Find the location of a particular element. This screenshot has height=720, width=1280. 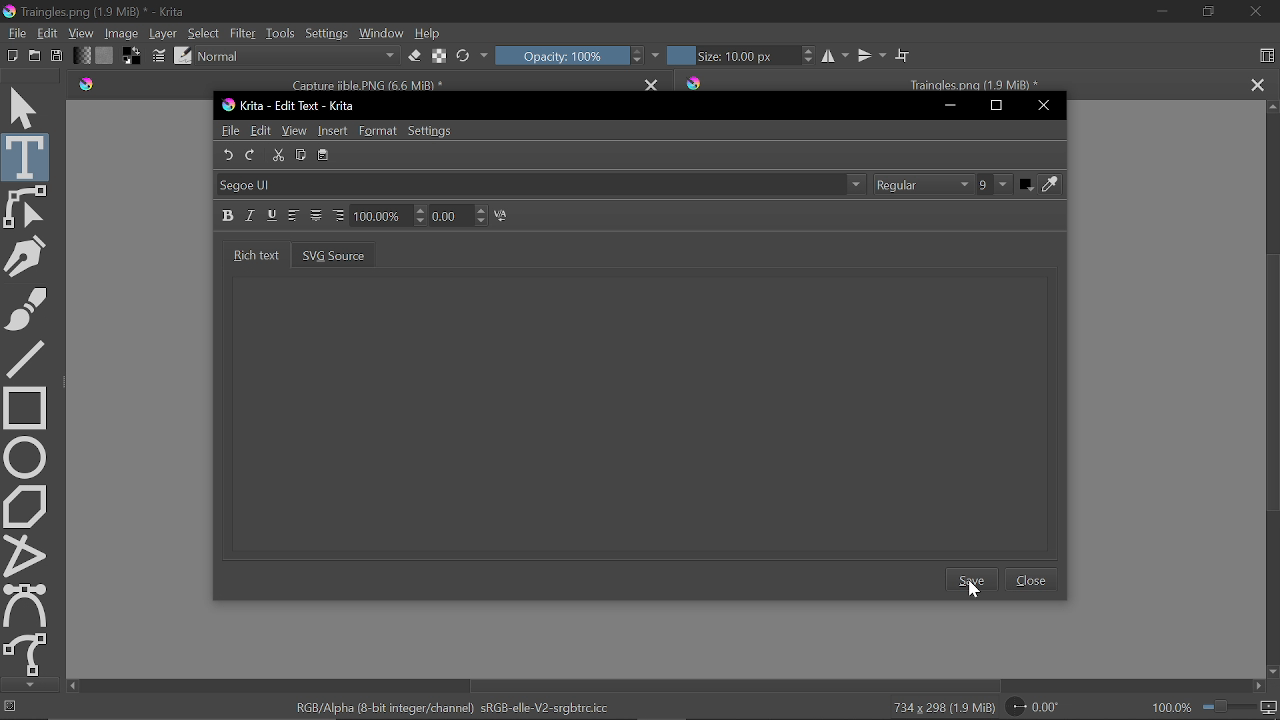

paste is located at coordinates (324, 155).